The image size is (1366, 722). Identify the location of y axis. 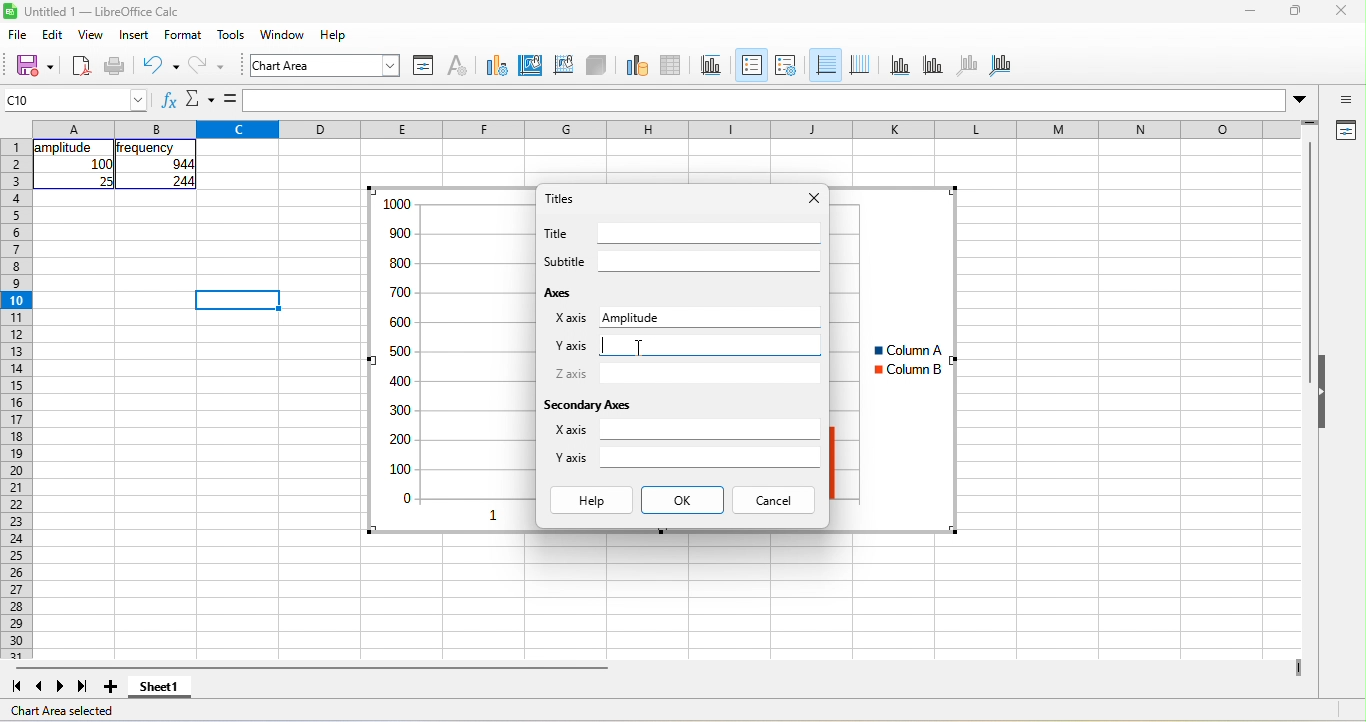
(933, 66).